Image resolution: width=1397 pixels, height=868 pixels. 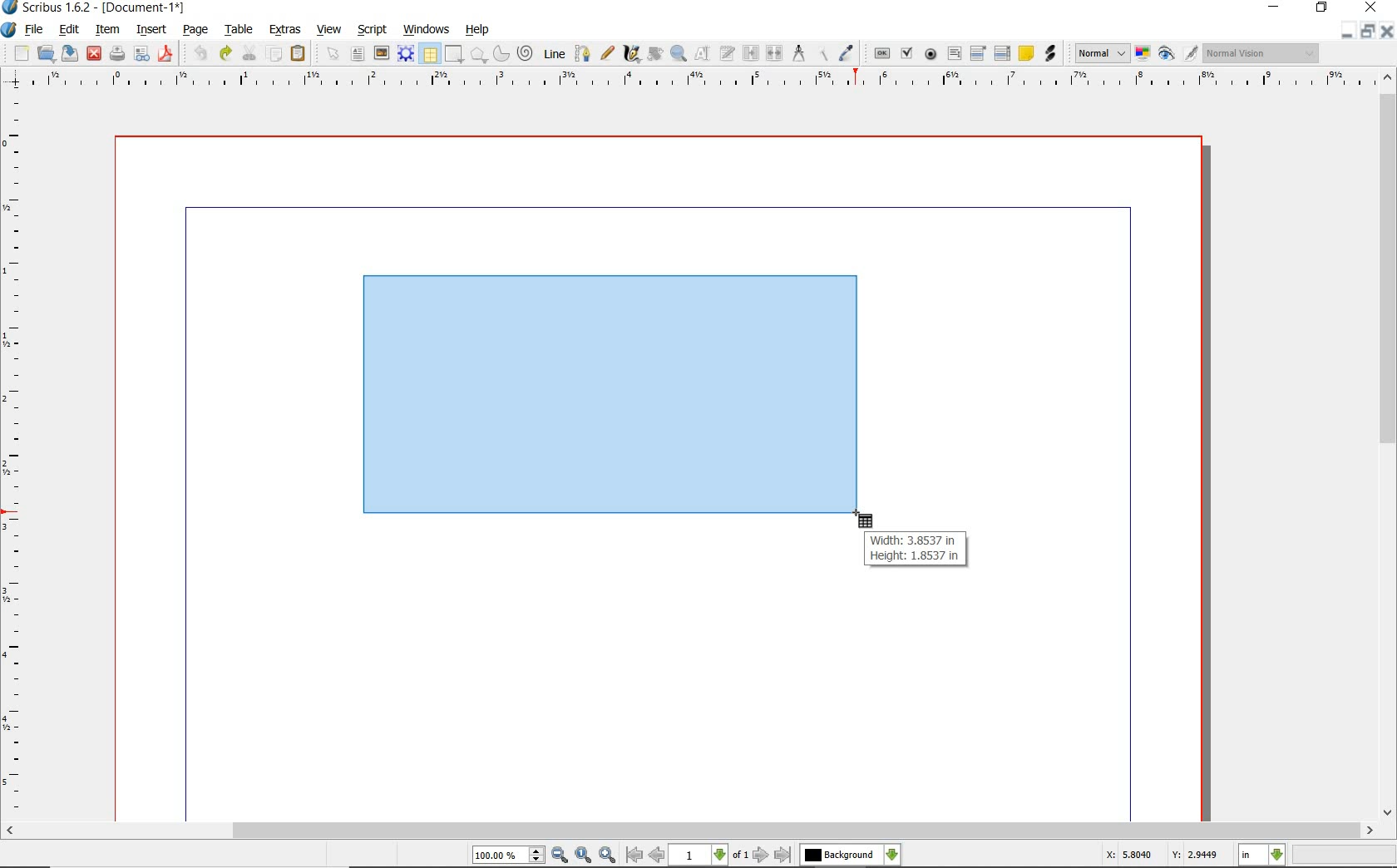 What do you see at coordinates (150, 31) in the screenshot?
I see `insert` at bounding box center [150, 31].